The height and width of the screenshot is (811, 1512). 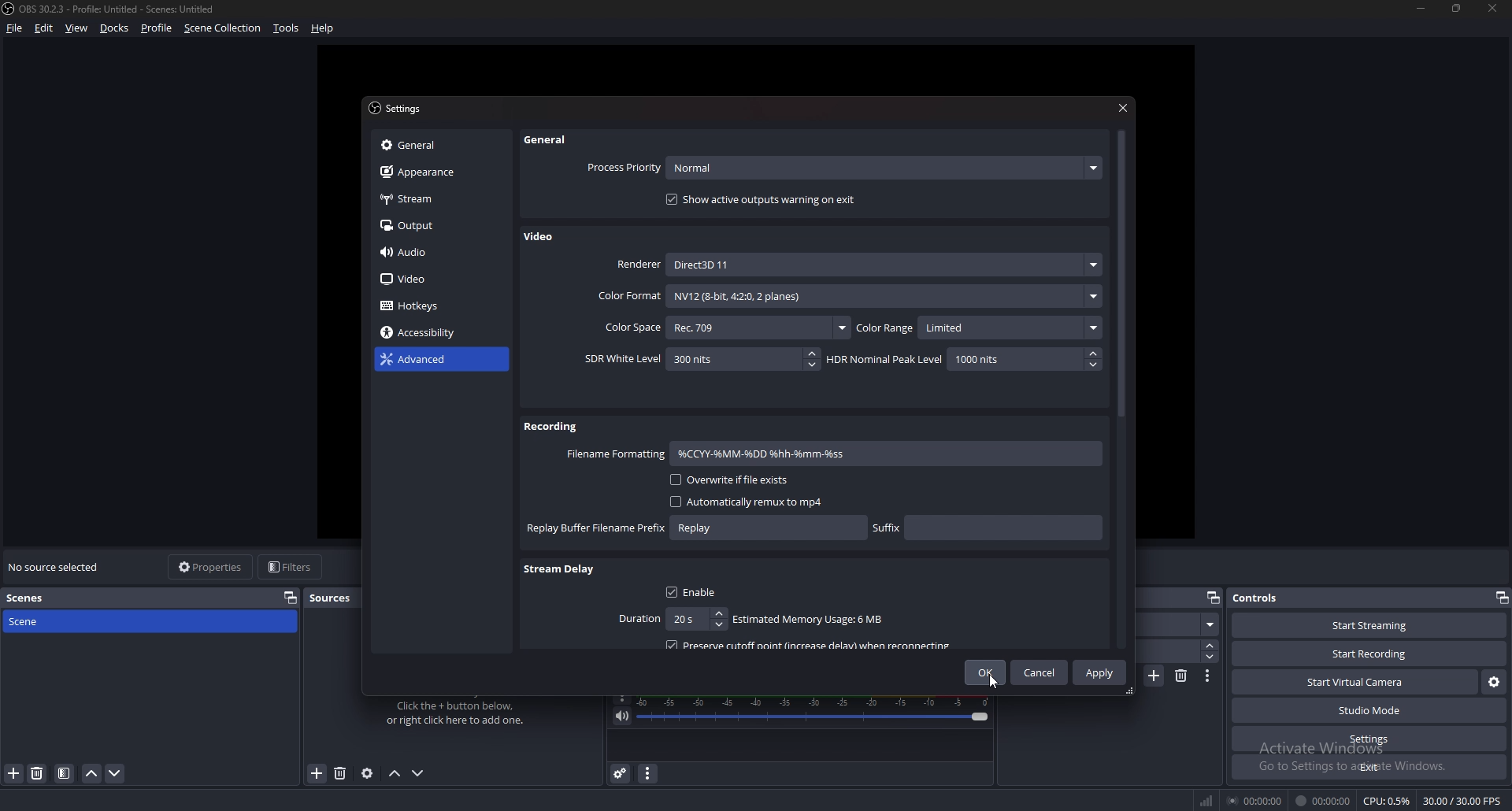 What do you see at coordinates (335, 598) in the screenshot?
I see `sources` at bounding box center [335, 598].